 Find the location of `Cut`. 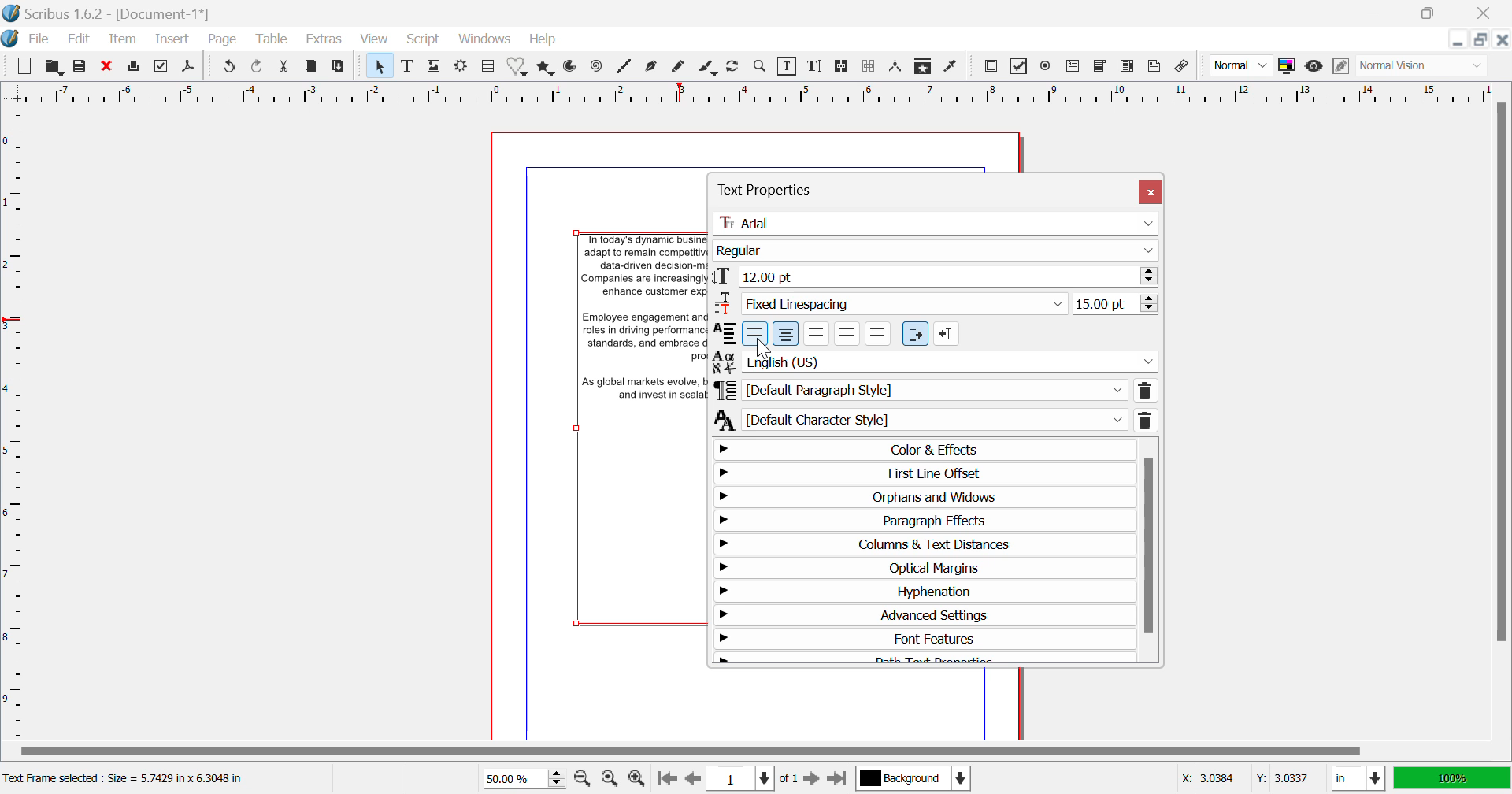

Cut is located at coordinates (287, 67).